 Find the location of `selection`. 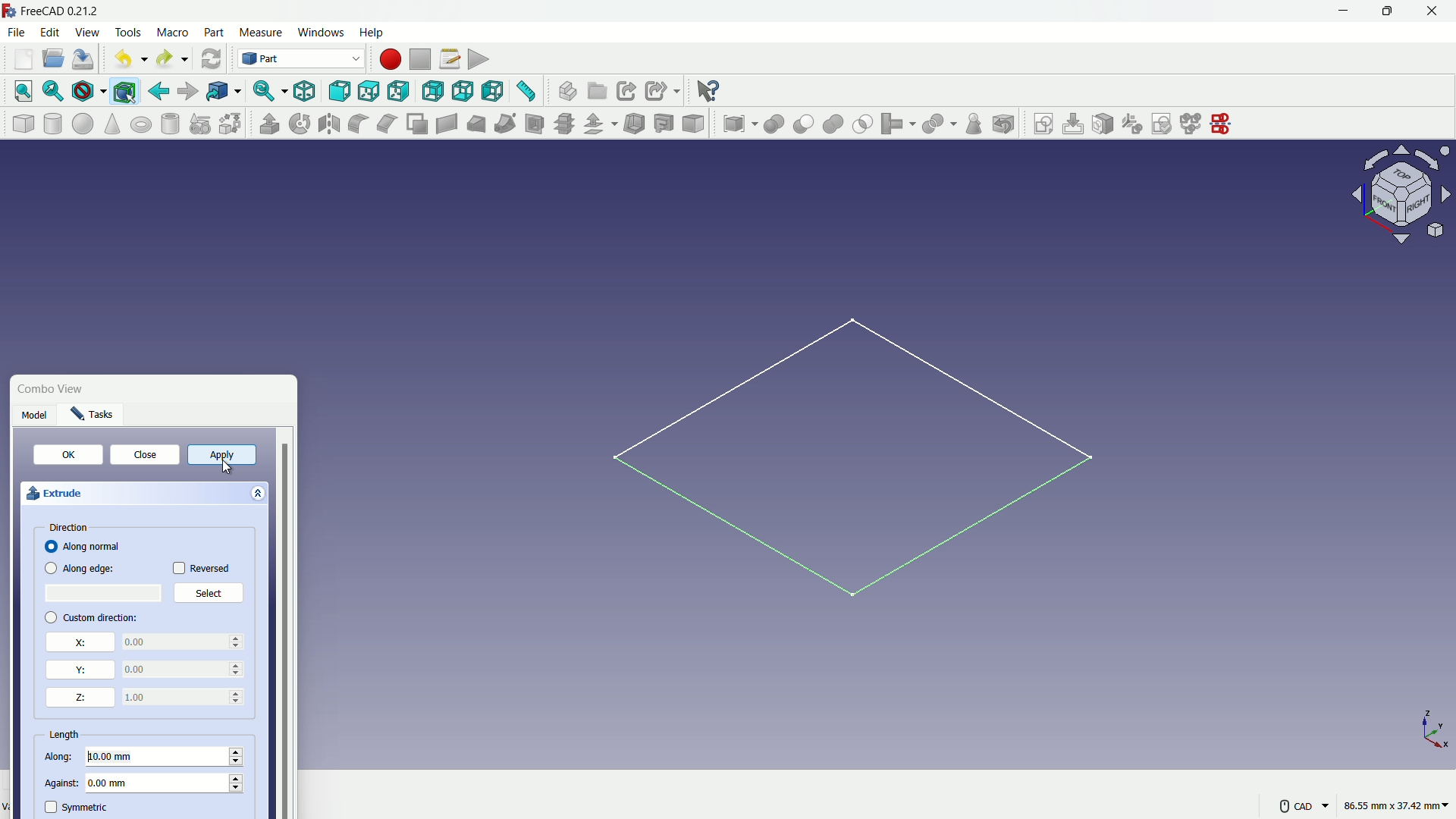

selection is located at coordinates (863, 124).